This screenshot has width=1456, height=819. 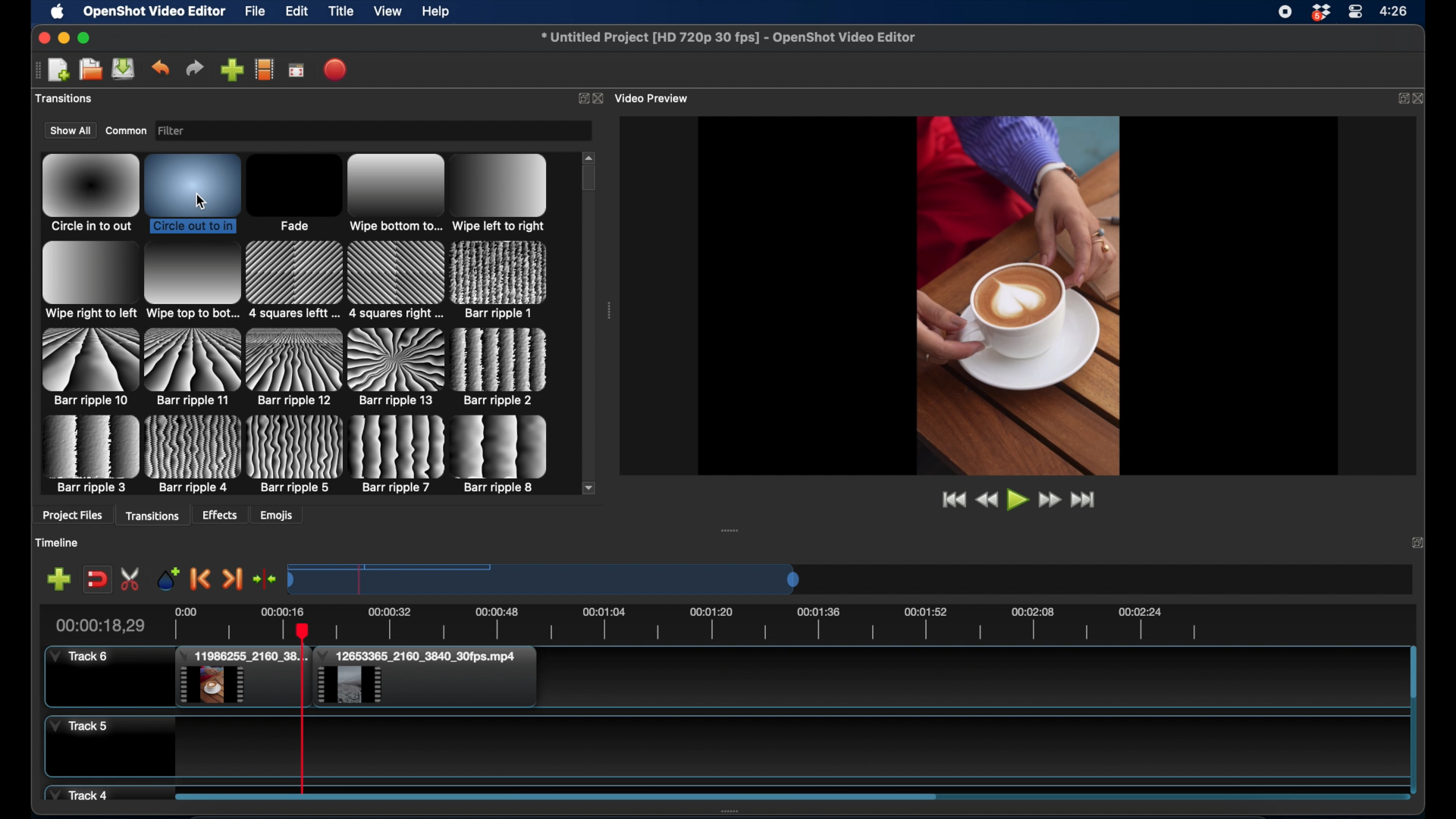 What do you see at coordinates (1396, 10) in the screenshot?
I see `time` at bounding box center [1396, 10].